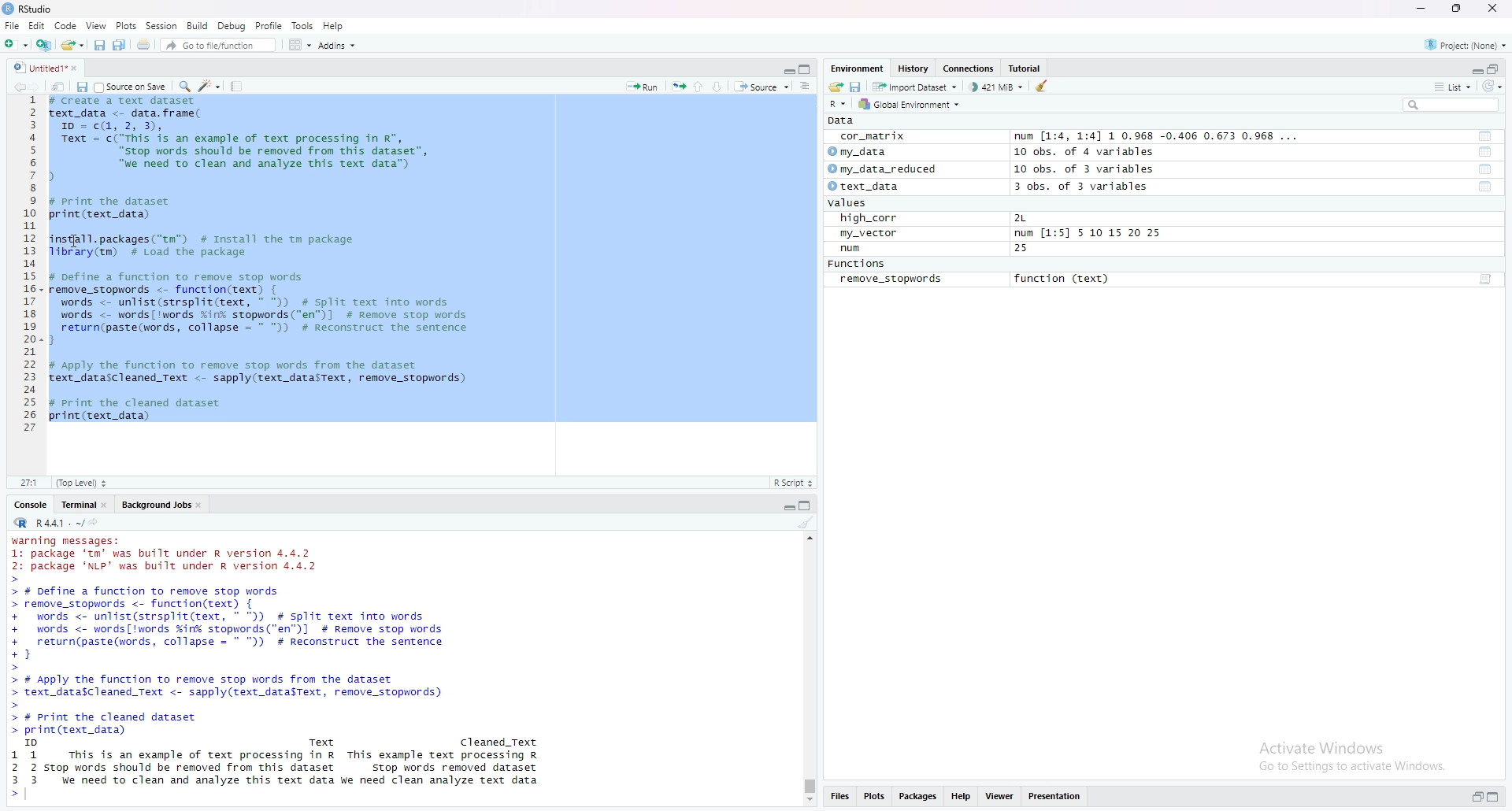 The height and width of the screenshot is (811, 1512). Describe the element at coordinates (48, 67) in the screenshot. I see `untitled1` at that location.